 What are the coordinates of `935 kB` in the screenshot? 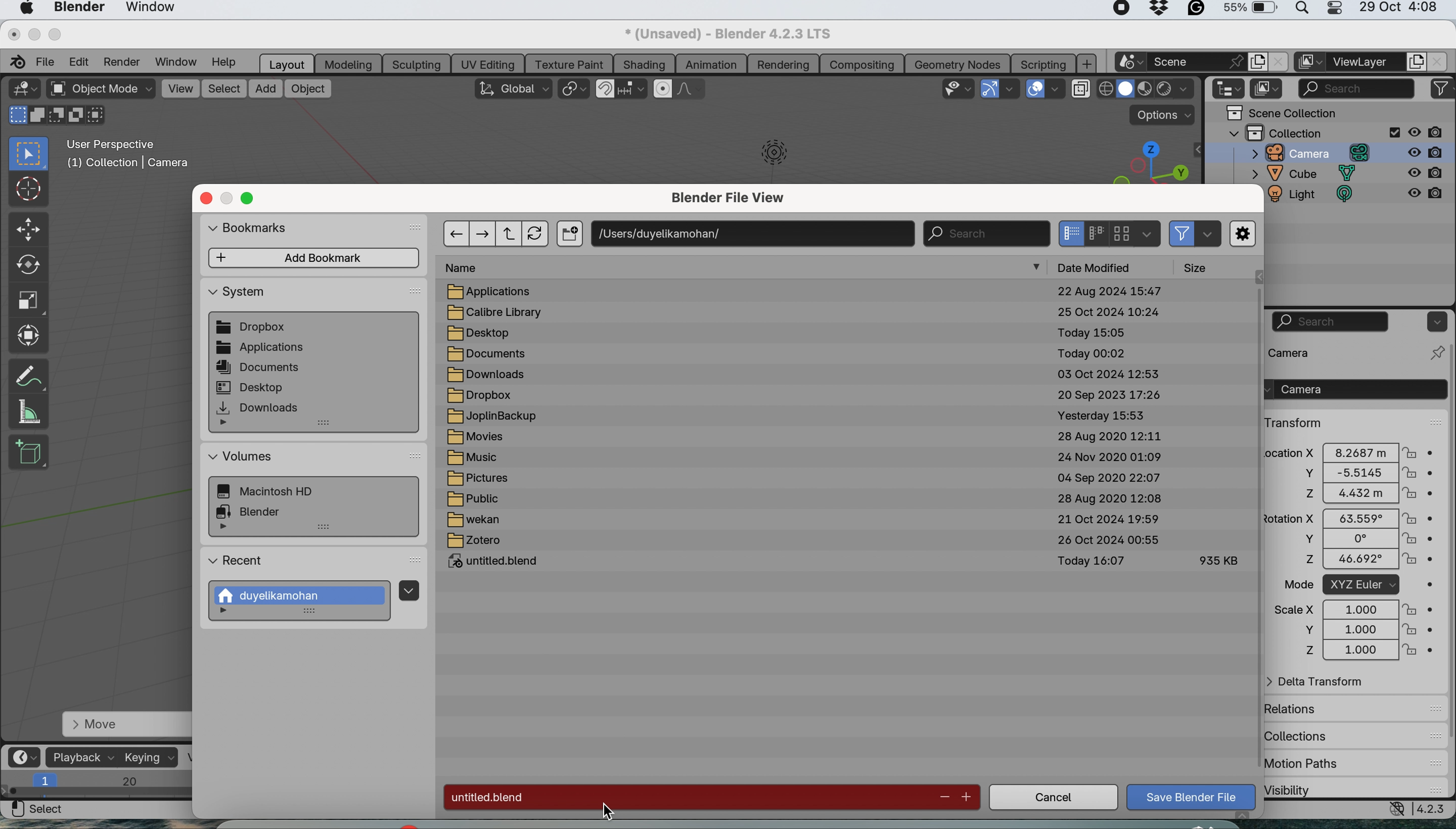 It's located at (1217, 559).